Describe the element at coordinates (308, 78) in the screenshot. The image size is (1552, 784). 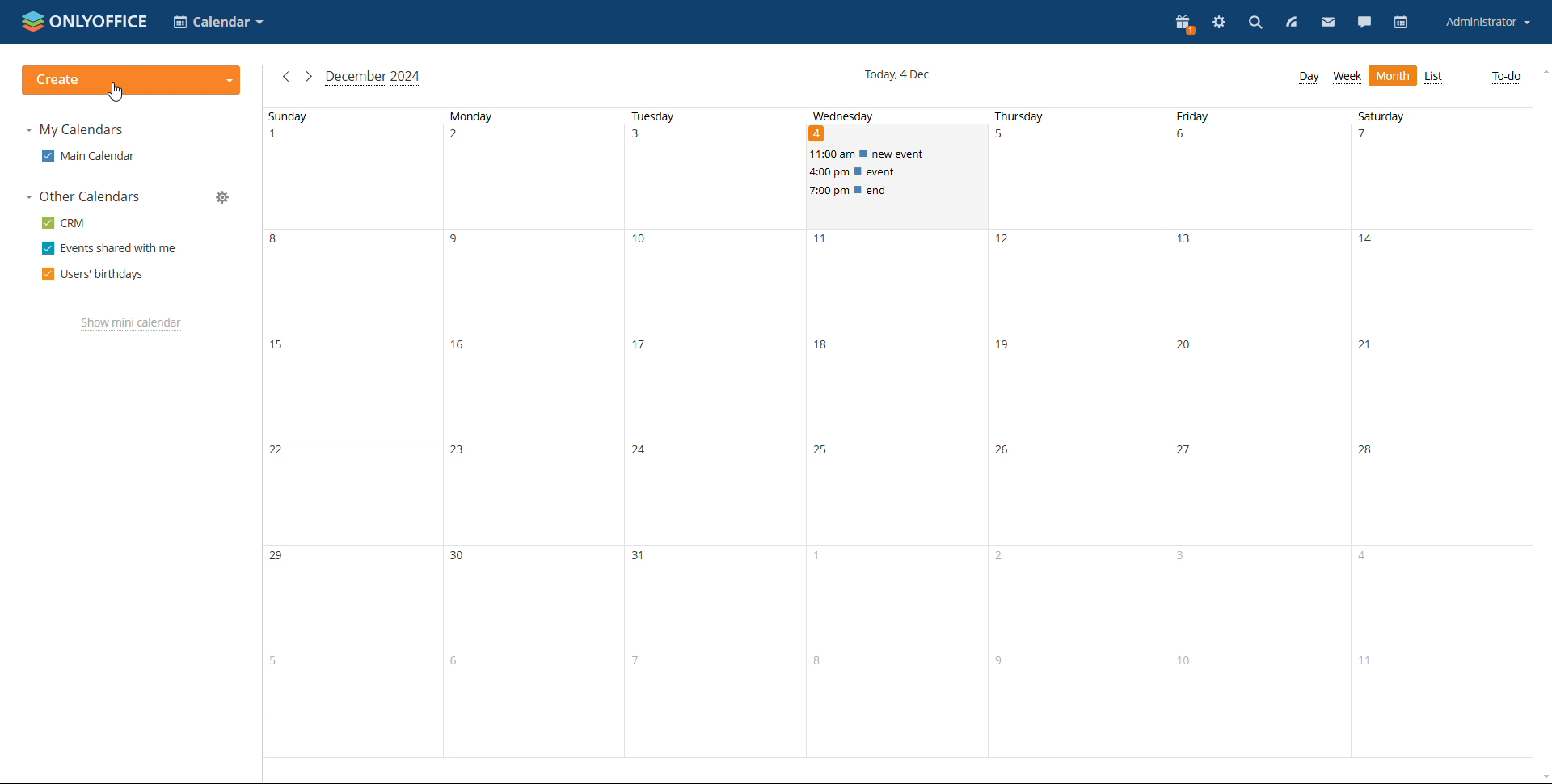
I see `next month` at that location.